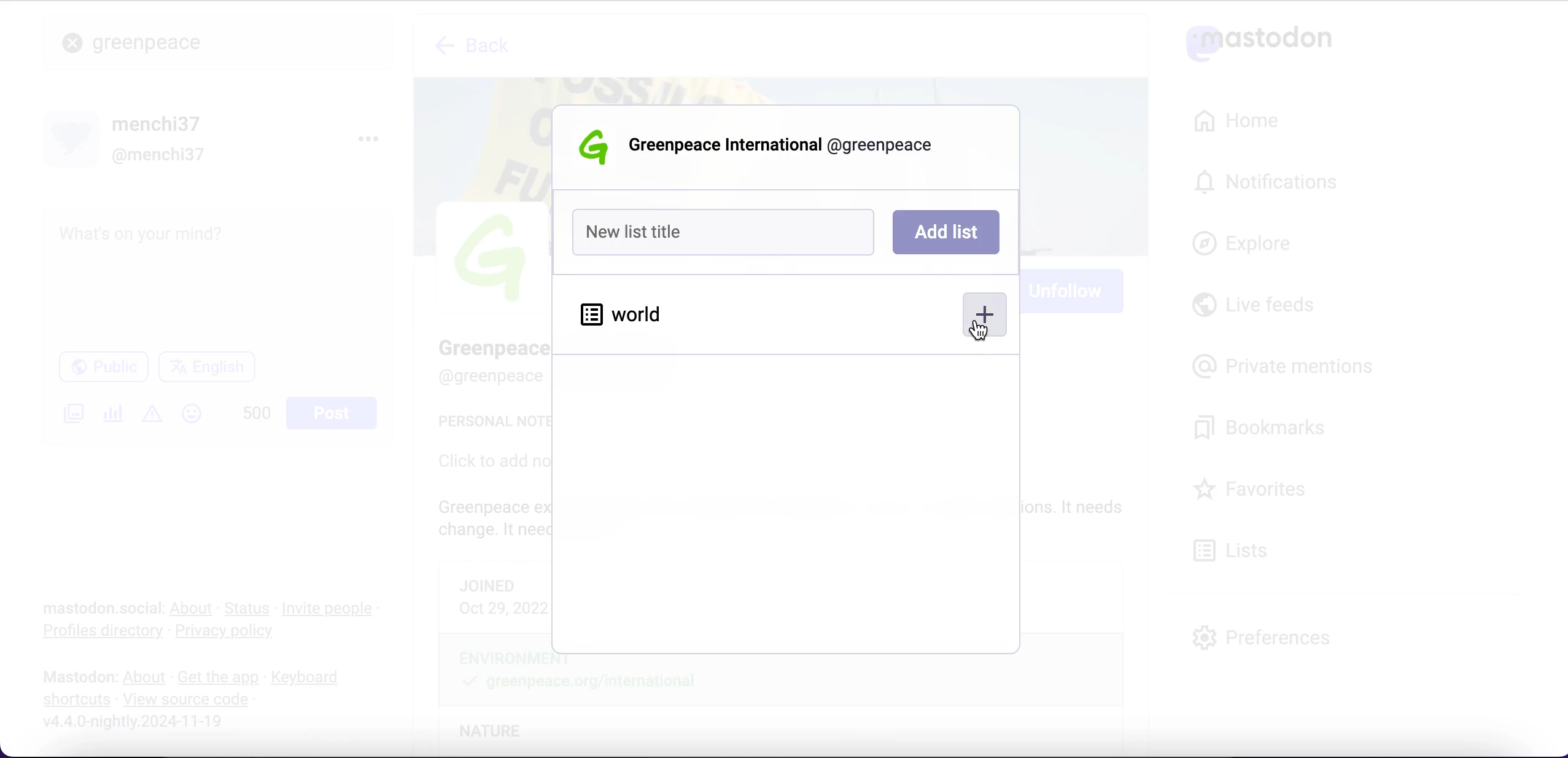 The height and width of the screenshot is (758, 1568). Describe the element at coordinates (79, 677) in the screenshot. I see `mastodon` at that location.